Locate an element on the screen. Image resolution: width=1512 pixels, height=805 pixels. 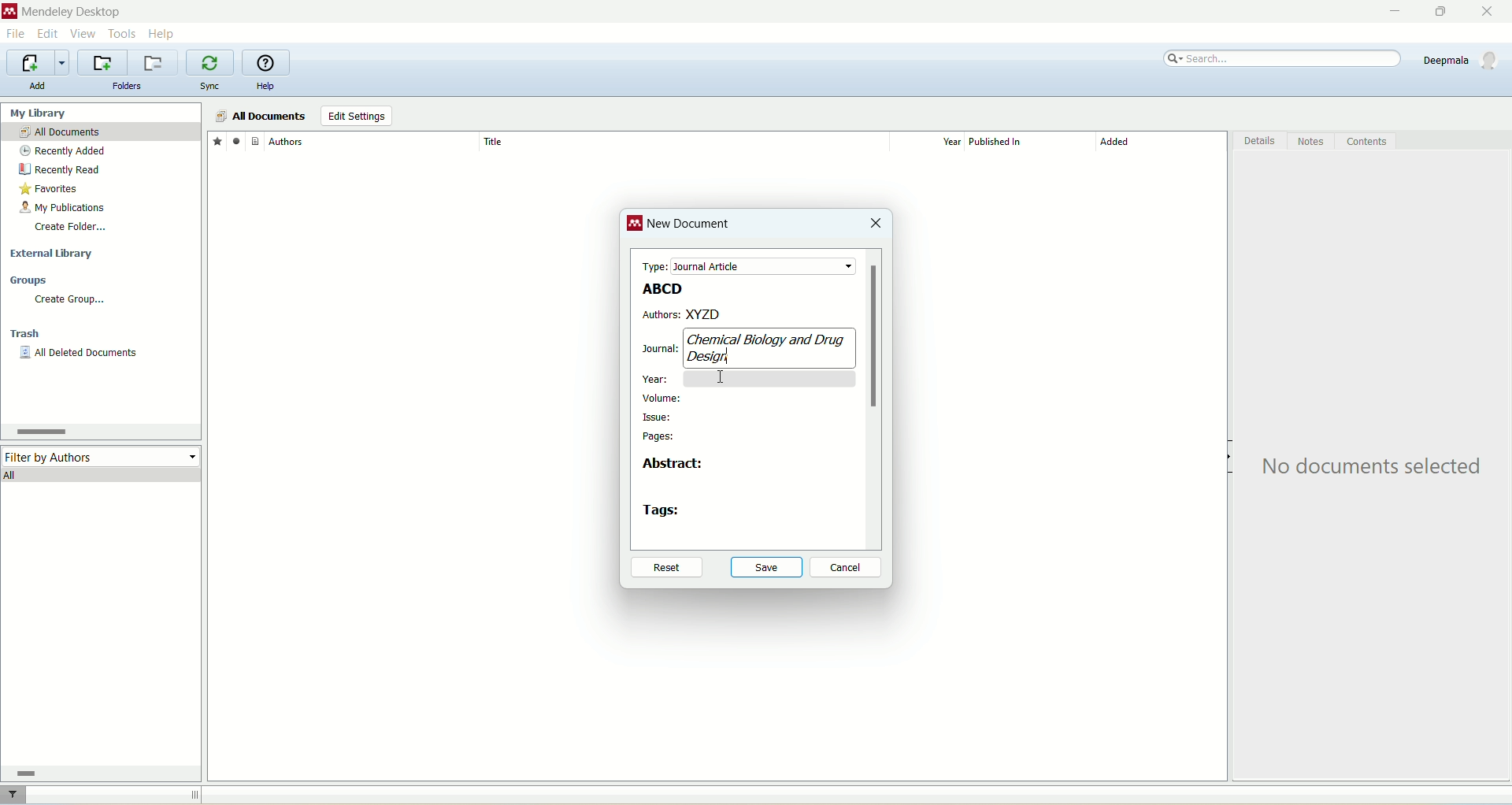
external library is located at coordinates (54, 254).